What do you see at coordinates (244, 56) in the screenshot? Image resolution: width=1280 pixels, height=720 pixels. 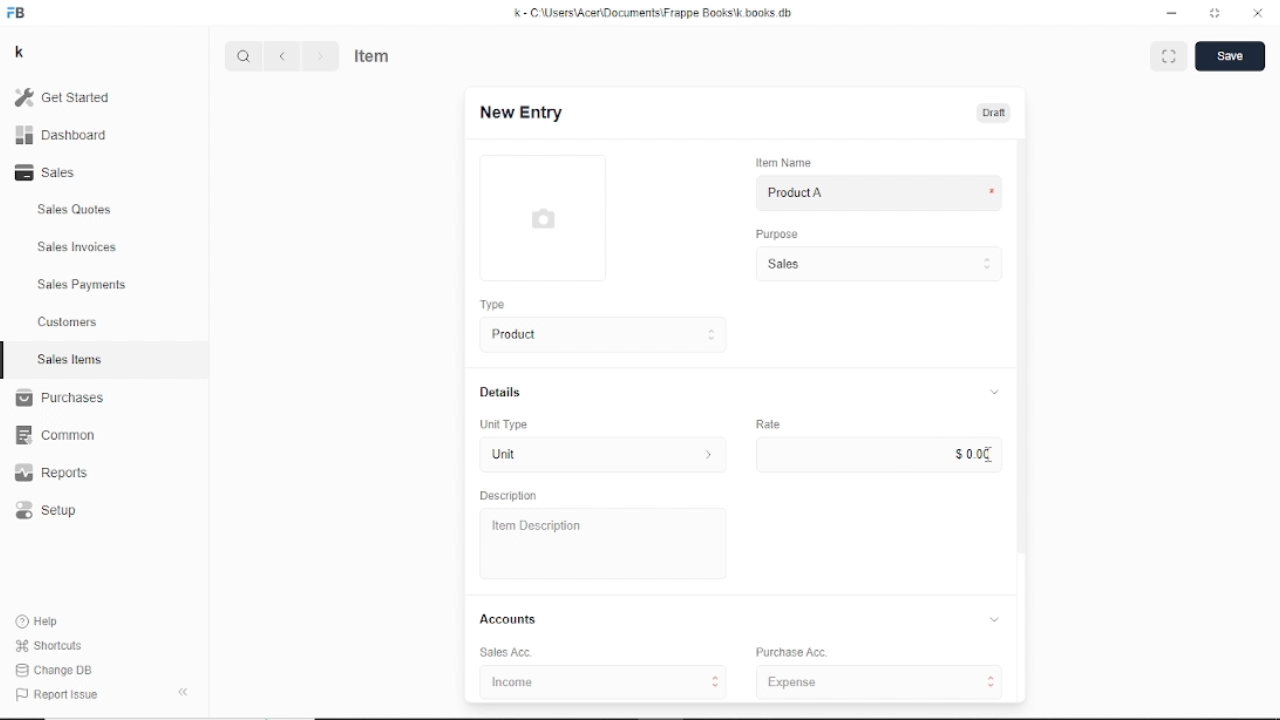 I see `Search` at bounding box center [244, 56].